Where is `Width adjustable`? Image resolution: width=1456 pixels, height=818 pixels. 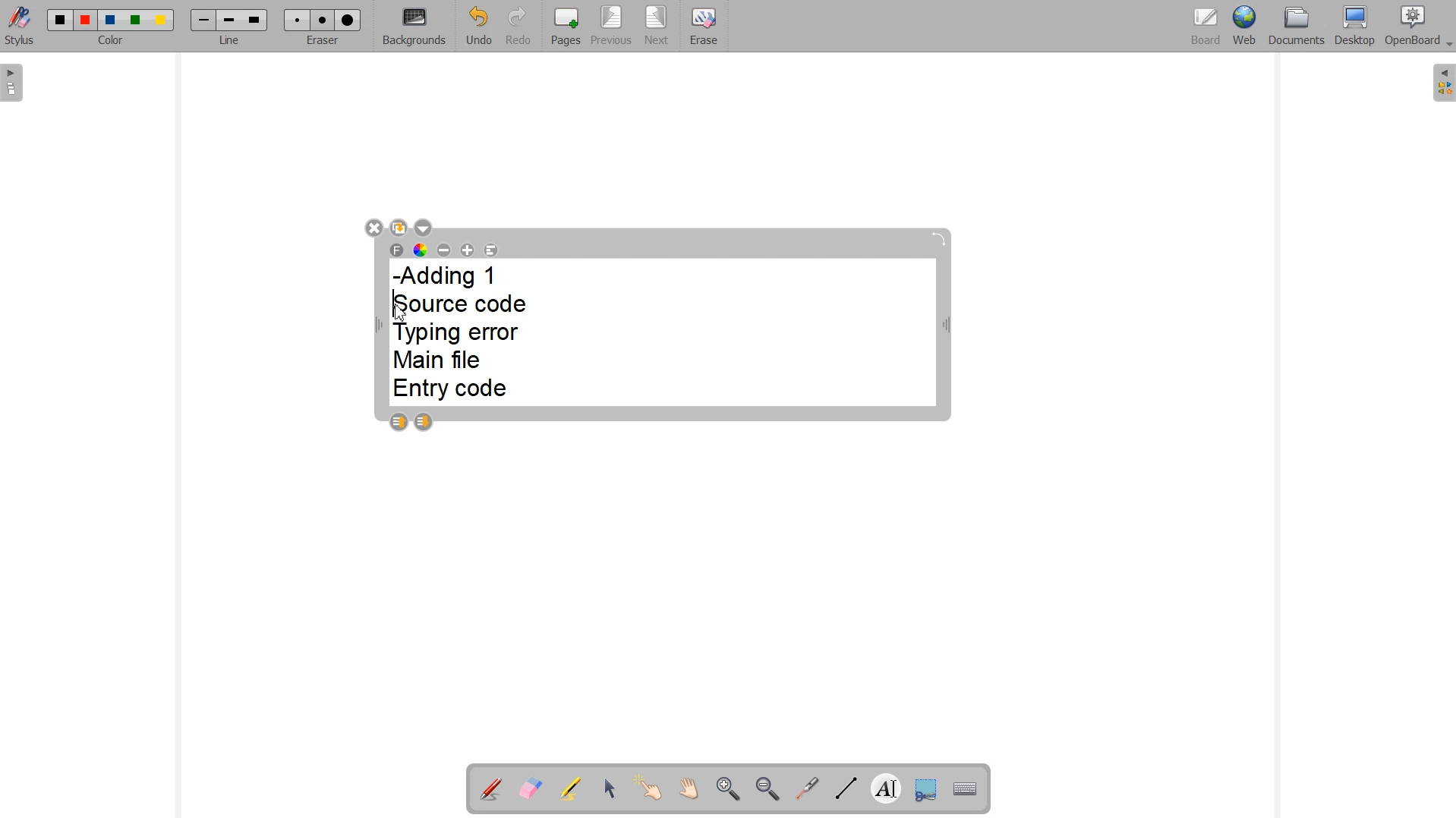
Width adjustable is located at coordinates (947, 328).